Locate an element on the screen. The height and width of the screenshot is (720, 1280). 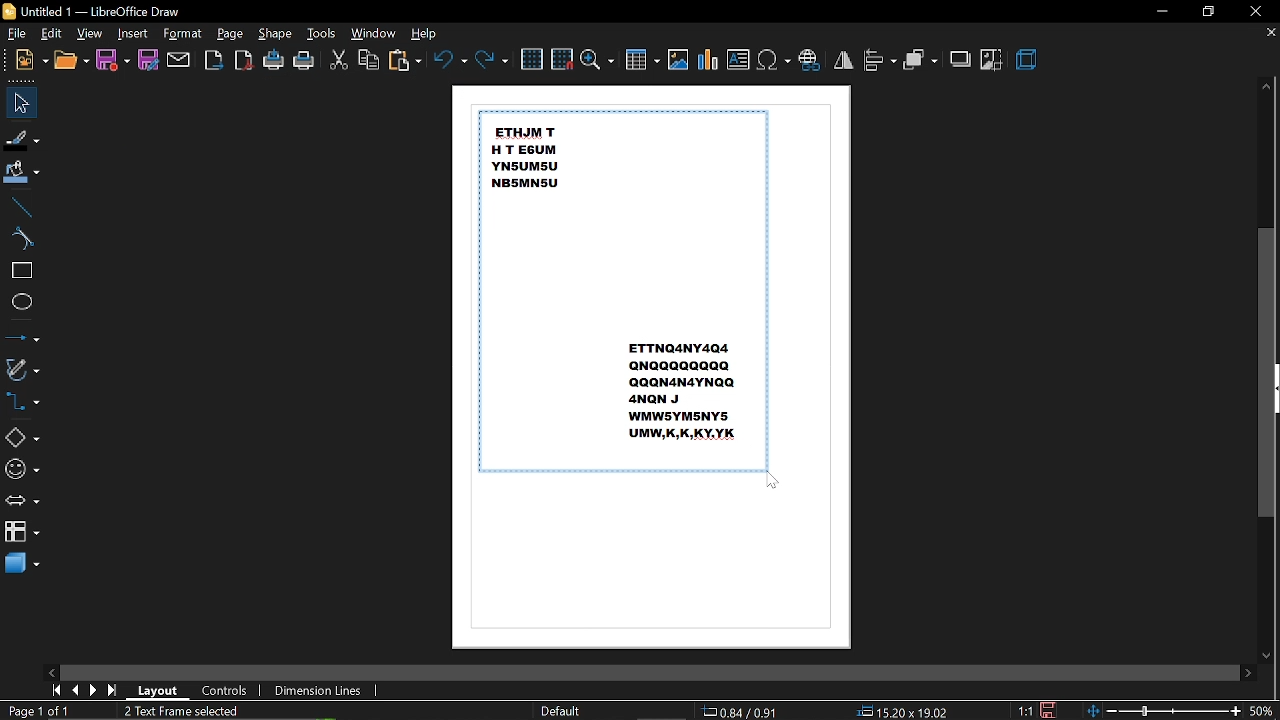
undo is located at coordinates (448, 59).